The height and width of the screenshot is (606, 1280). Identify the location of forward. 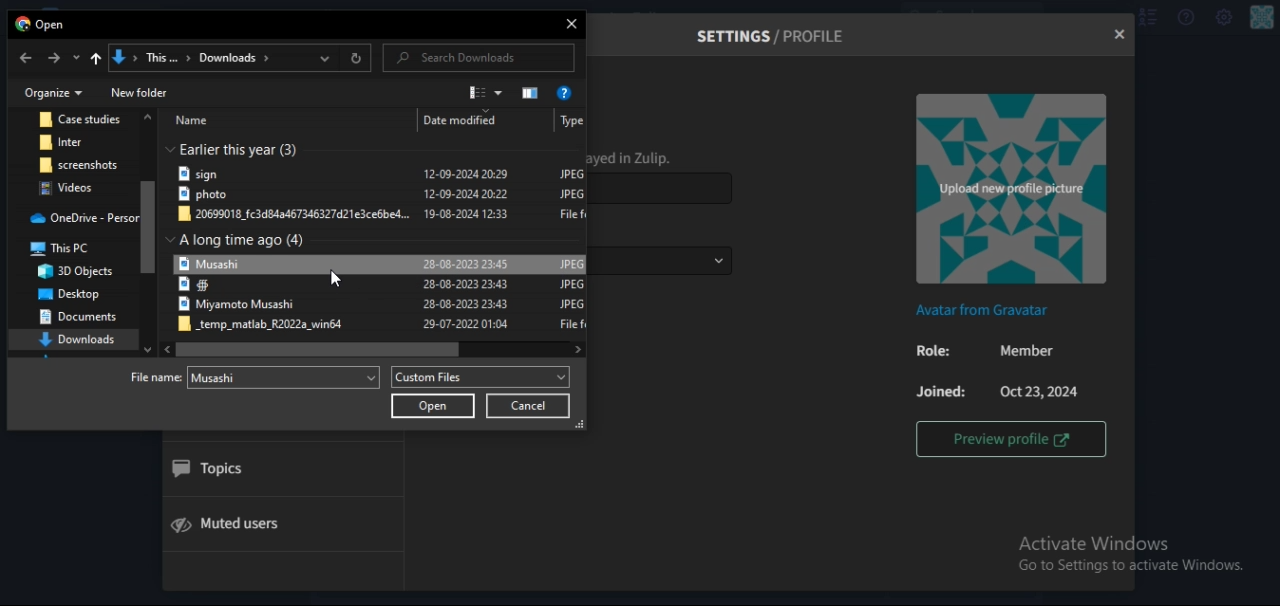
(54, 58).